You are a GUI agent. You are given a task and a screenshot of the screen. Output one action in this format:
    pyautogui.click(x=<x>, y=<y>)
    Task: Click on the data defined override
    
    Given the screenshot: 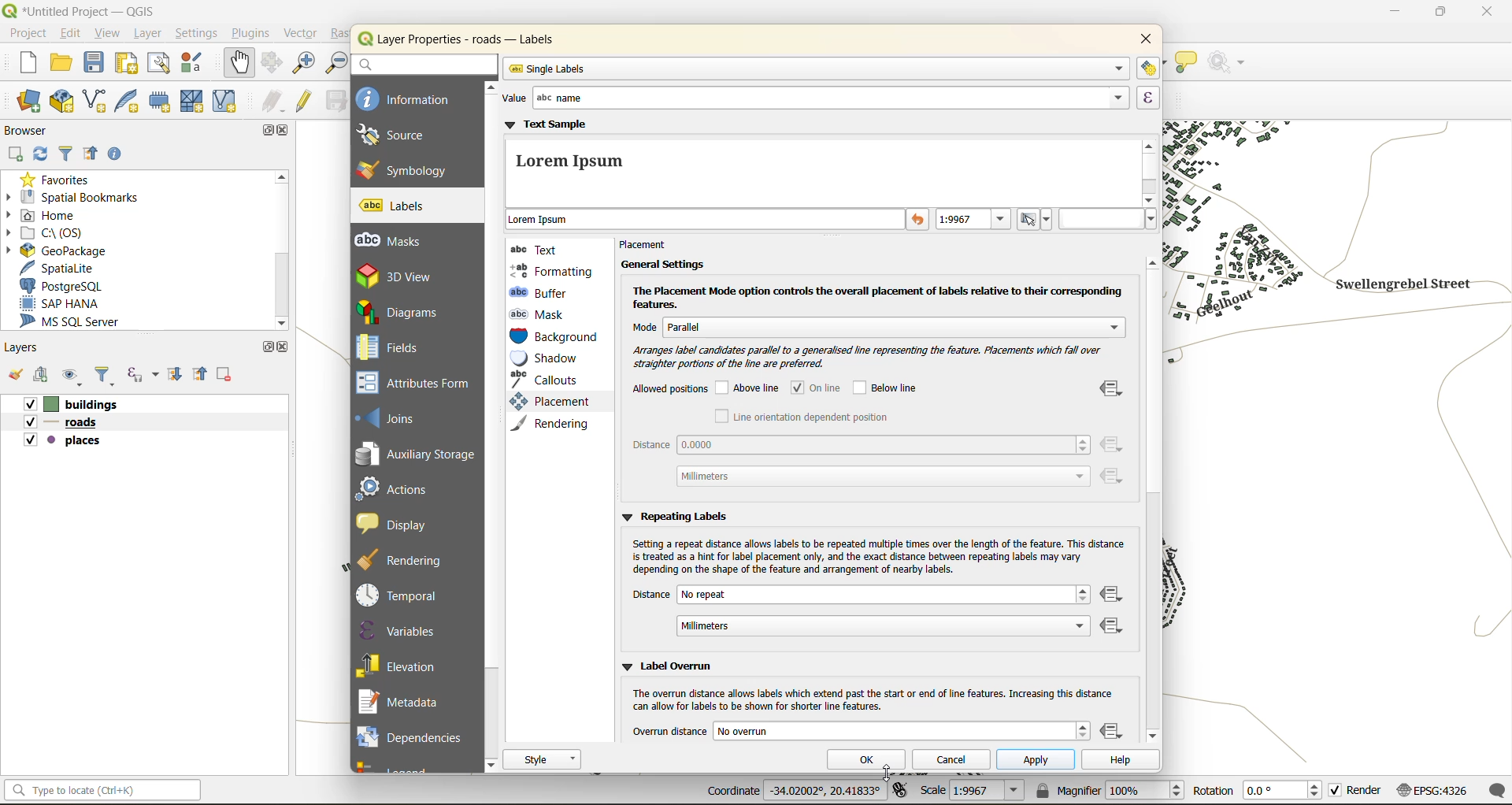 What is the action you would take?
    pyautogui.click(x=1114, y=612)
    